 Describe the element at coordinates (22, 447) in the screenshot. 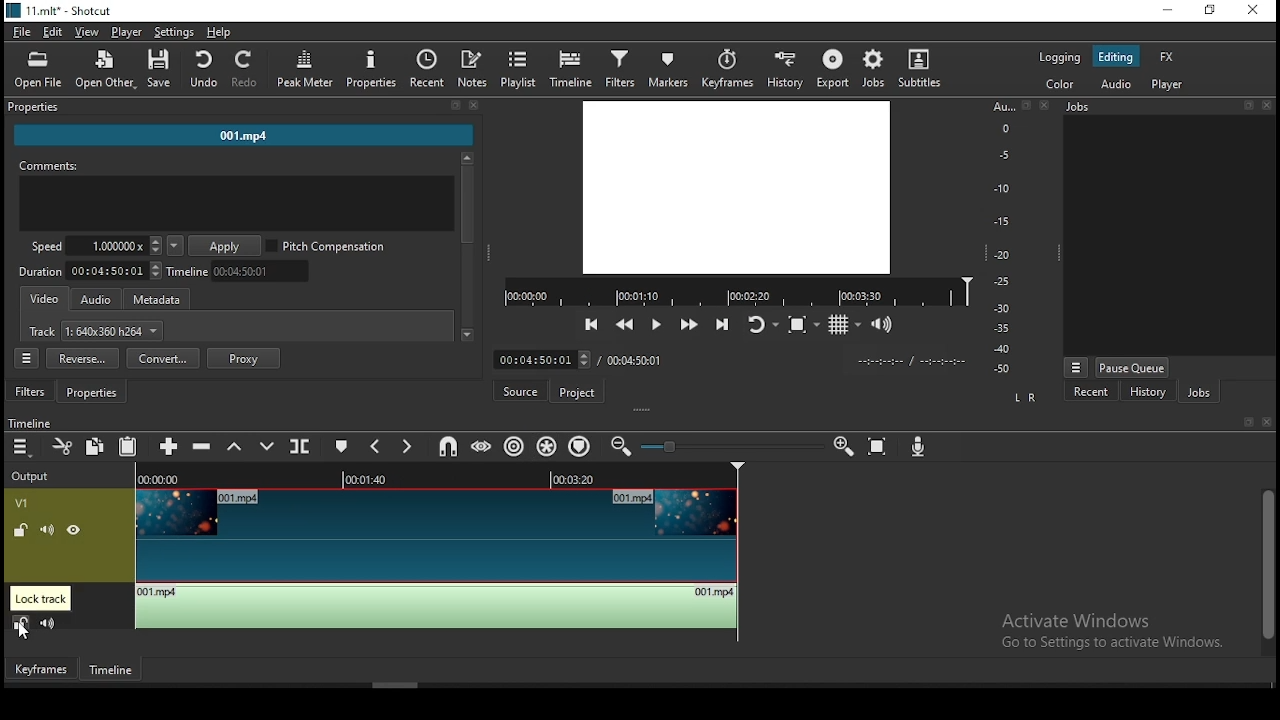

I see `timeline menu` at that location.